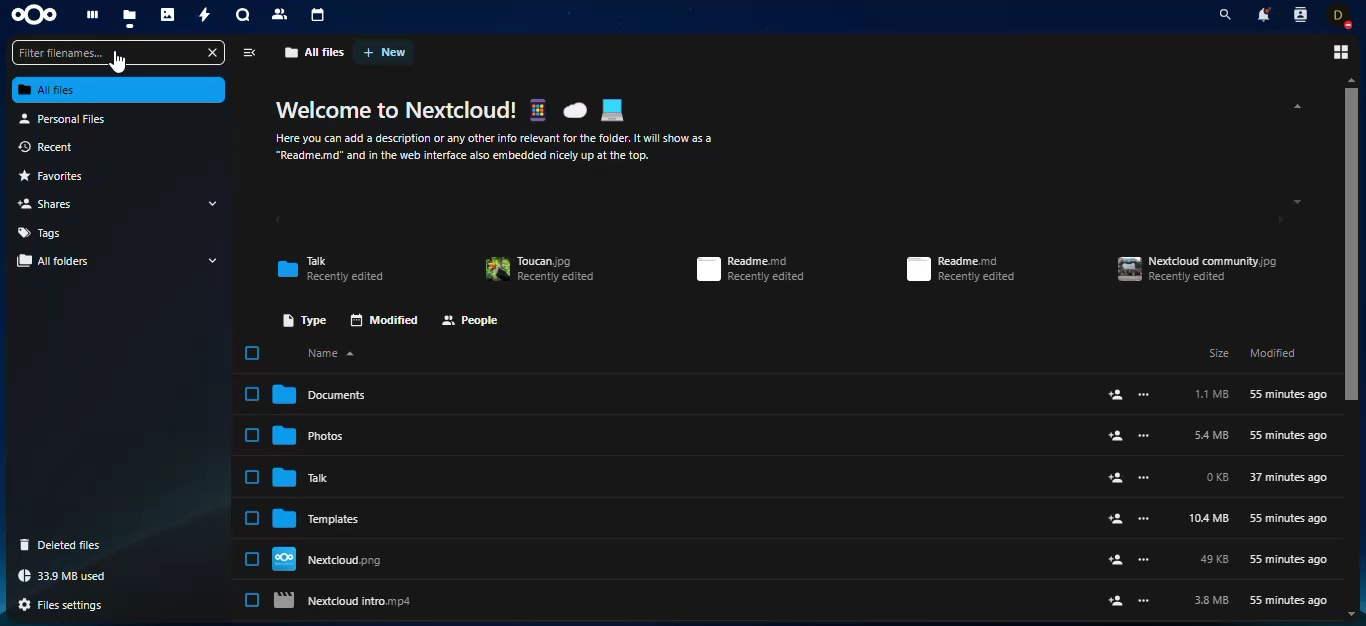 This screenshot has height=626, width=1366. I want to click on Cloud emoji, so click(574, 110).